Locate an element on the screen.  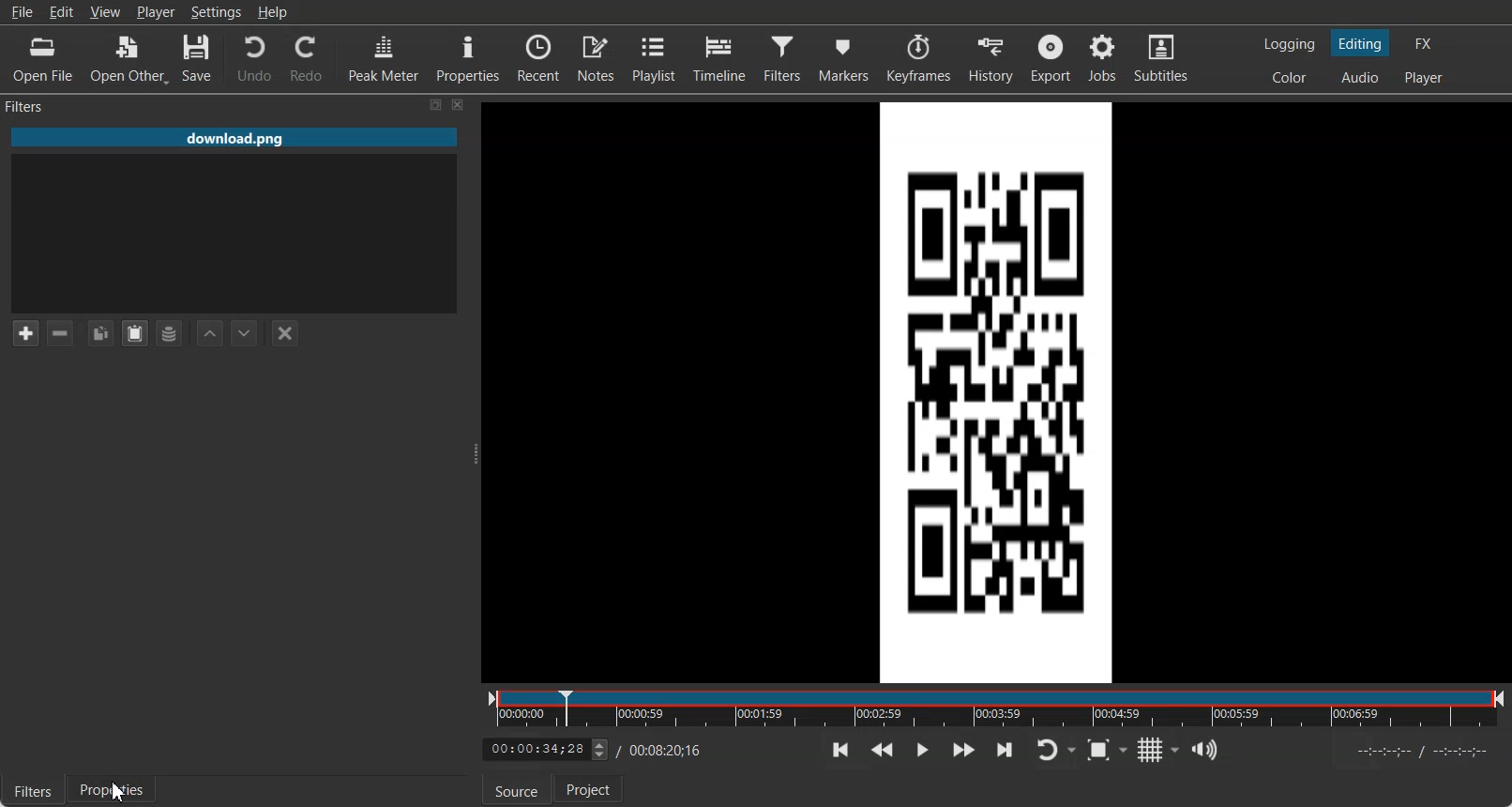
Switch to effects layout is located at coordinates (1429, 42).